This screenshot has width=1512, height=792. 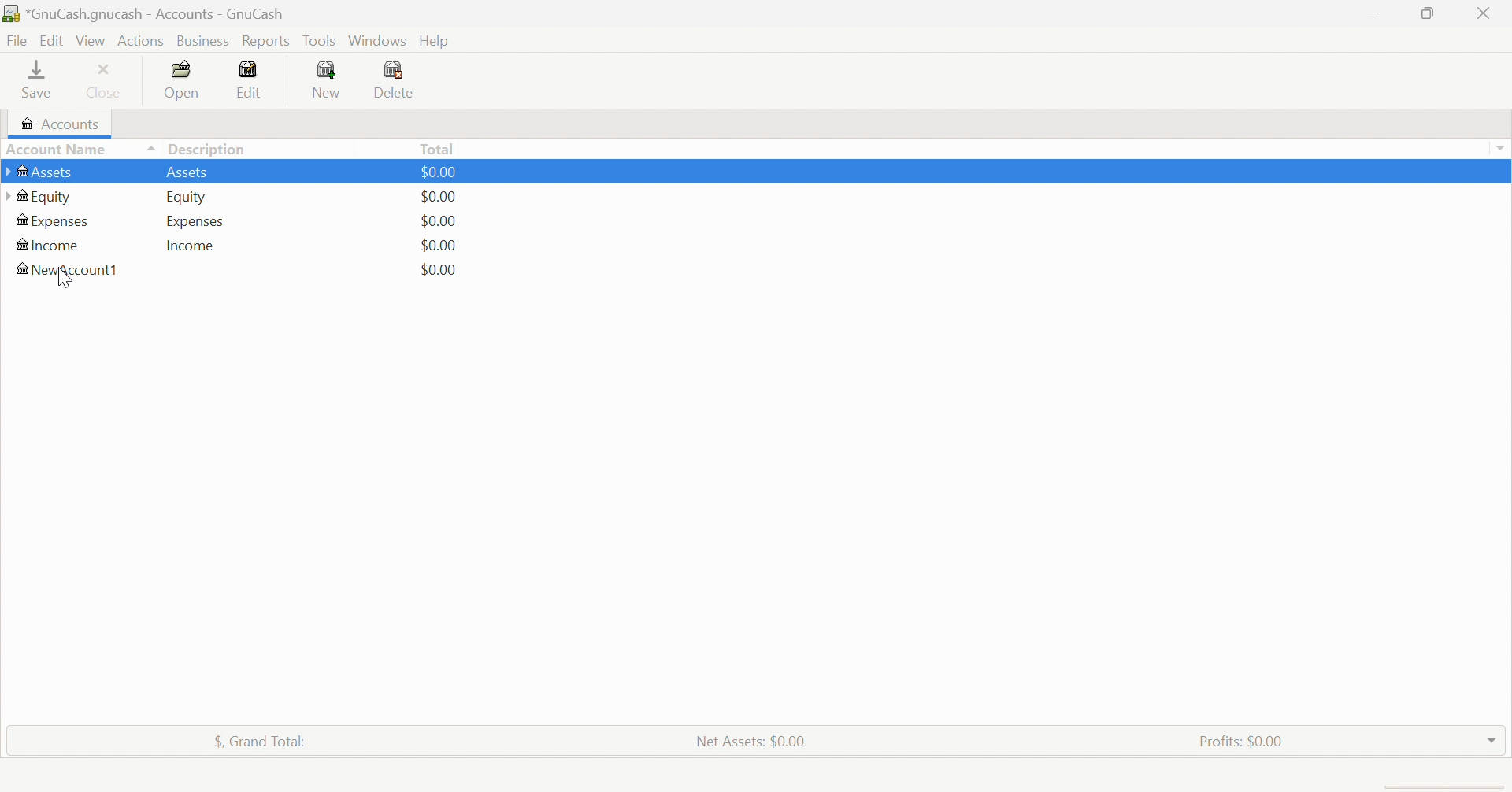 I want to click on Drop Down, so click(x=1492, y=740).